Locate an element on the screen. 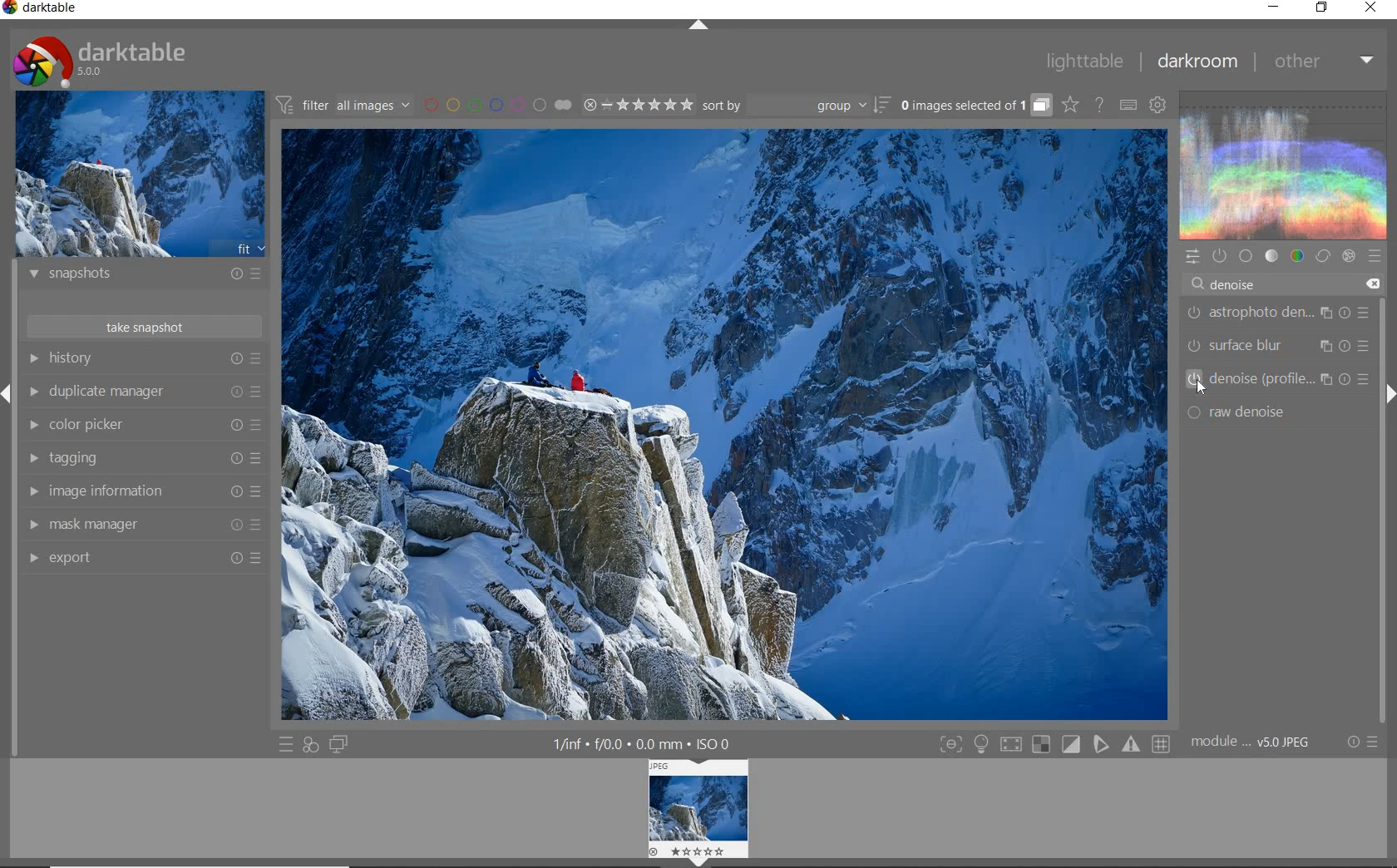  tagging is located at coordinates (143, 459).